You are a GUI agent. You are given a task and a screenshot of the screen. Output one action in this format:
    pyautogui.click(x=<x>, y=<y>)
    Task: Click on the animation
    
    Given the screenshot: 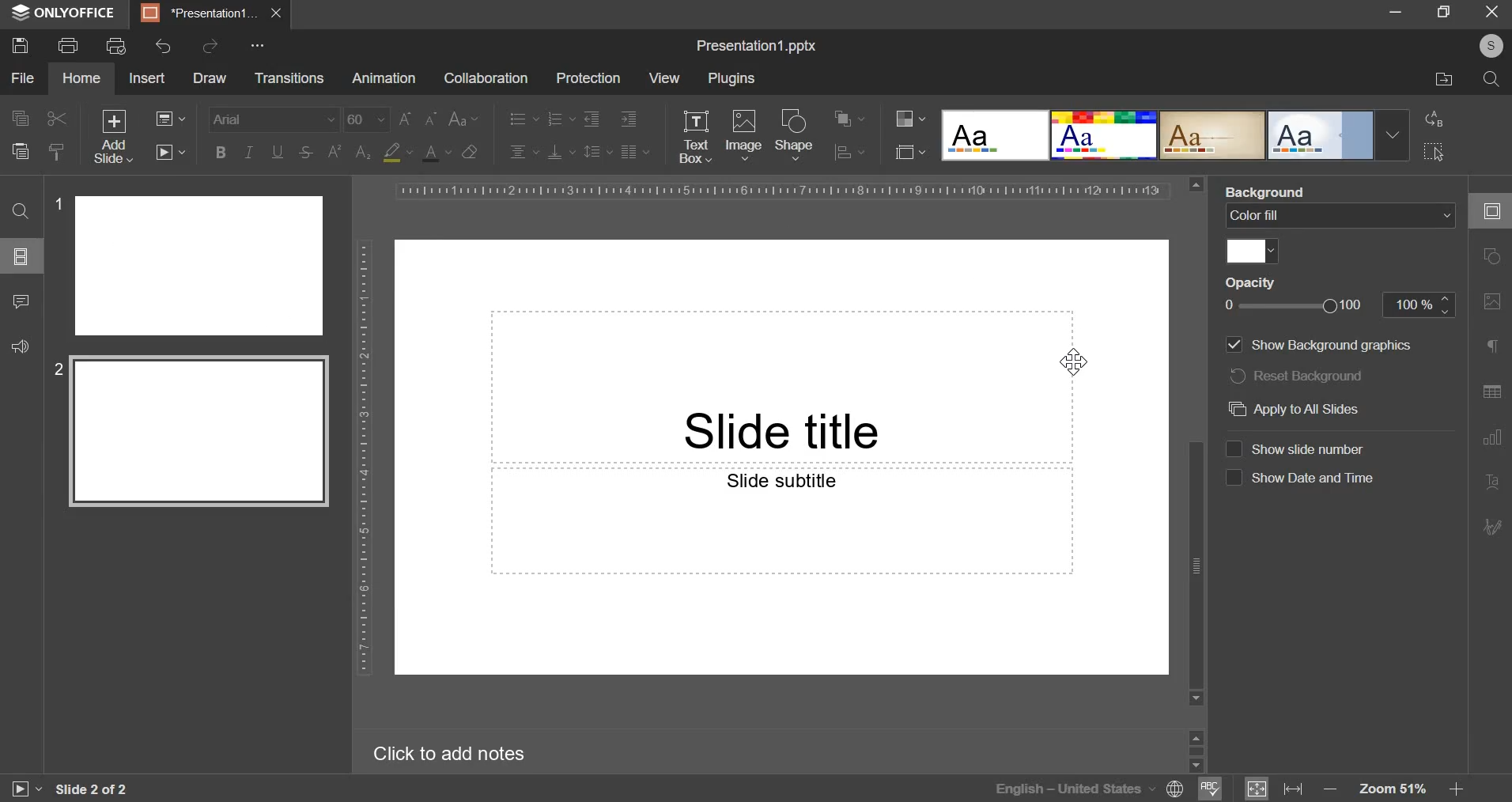 What is the action you would take?
    pyautogui.click(x=384, y=78)
    